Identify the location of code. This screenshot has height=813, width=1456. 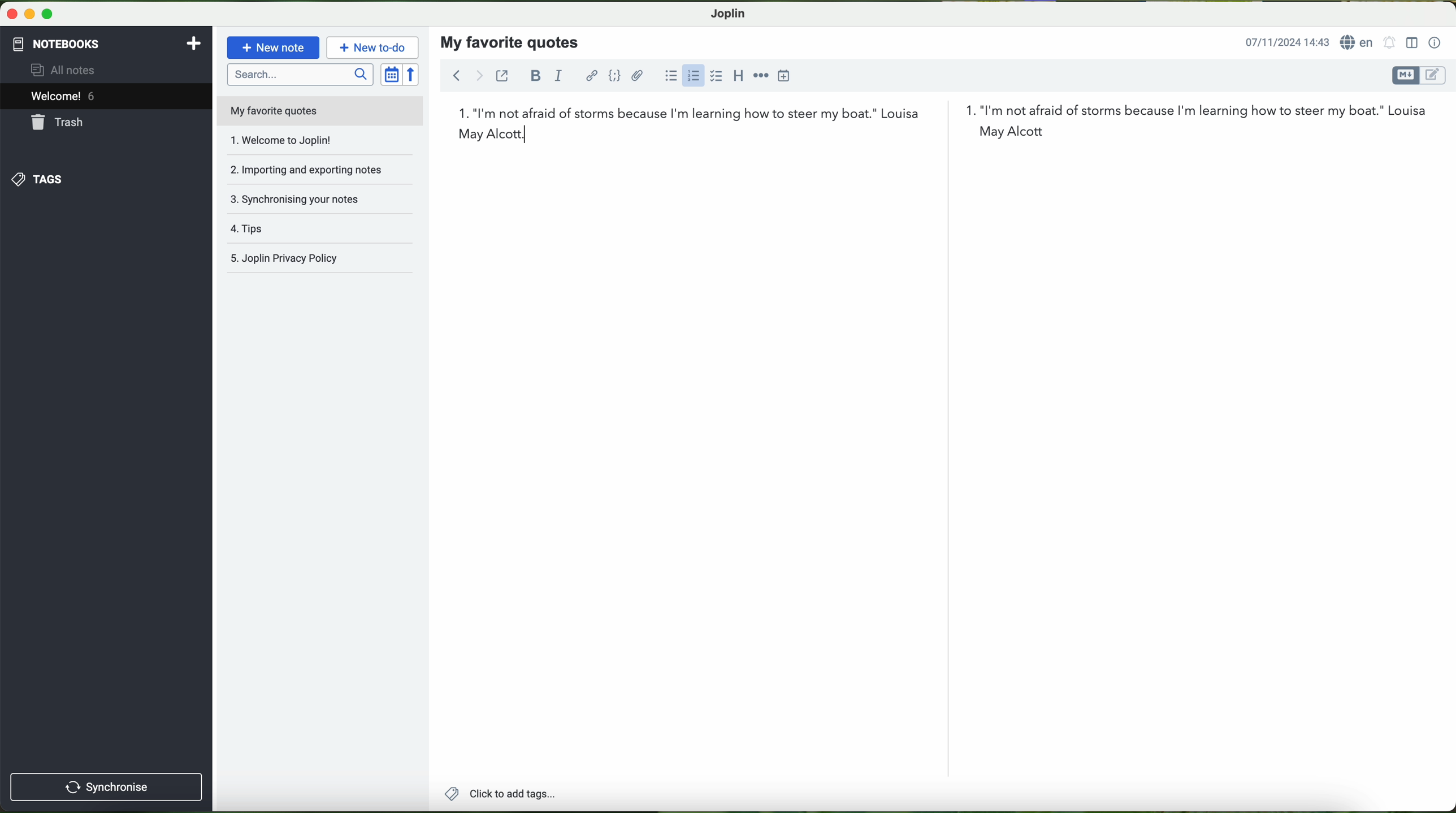
(616, 77).